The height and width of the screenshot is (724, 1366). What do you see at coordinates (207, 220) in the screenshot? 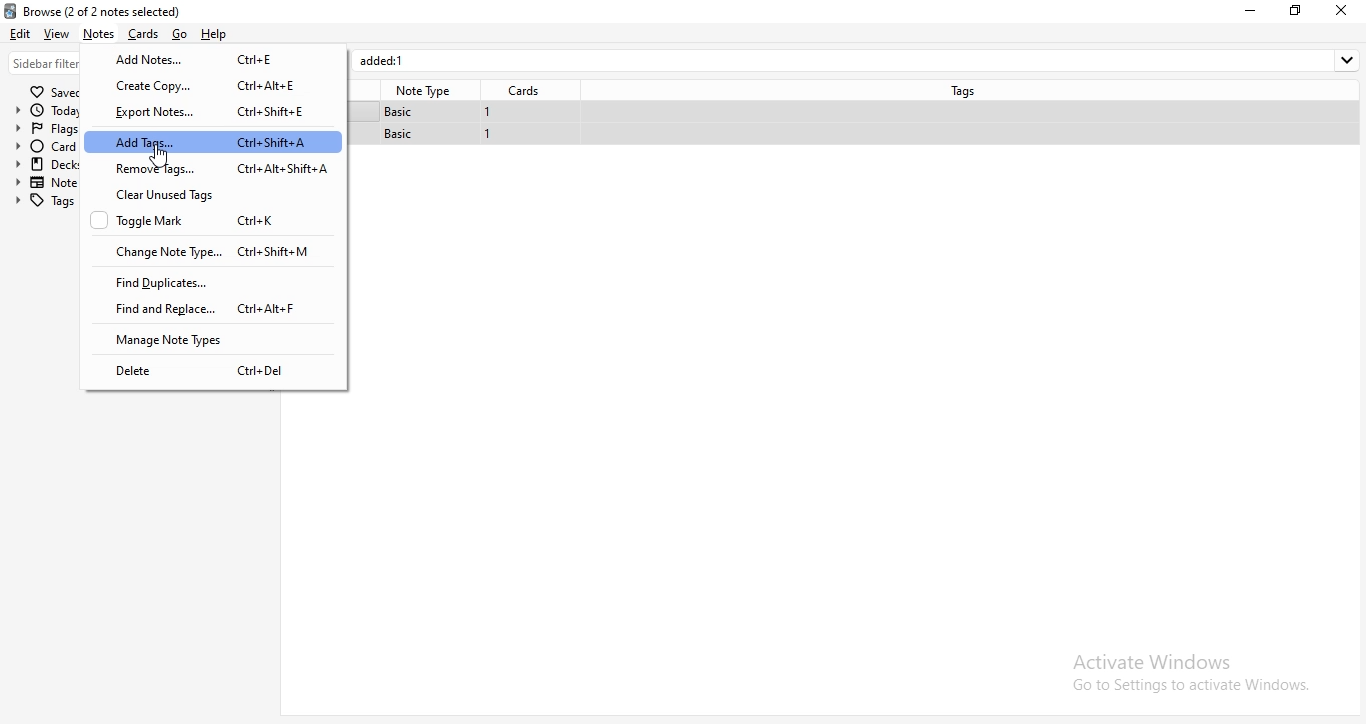
I see `toggle mark` at bounding box center [207, 220].